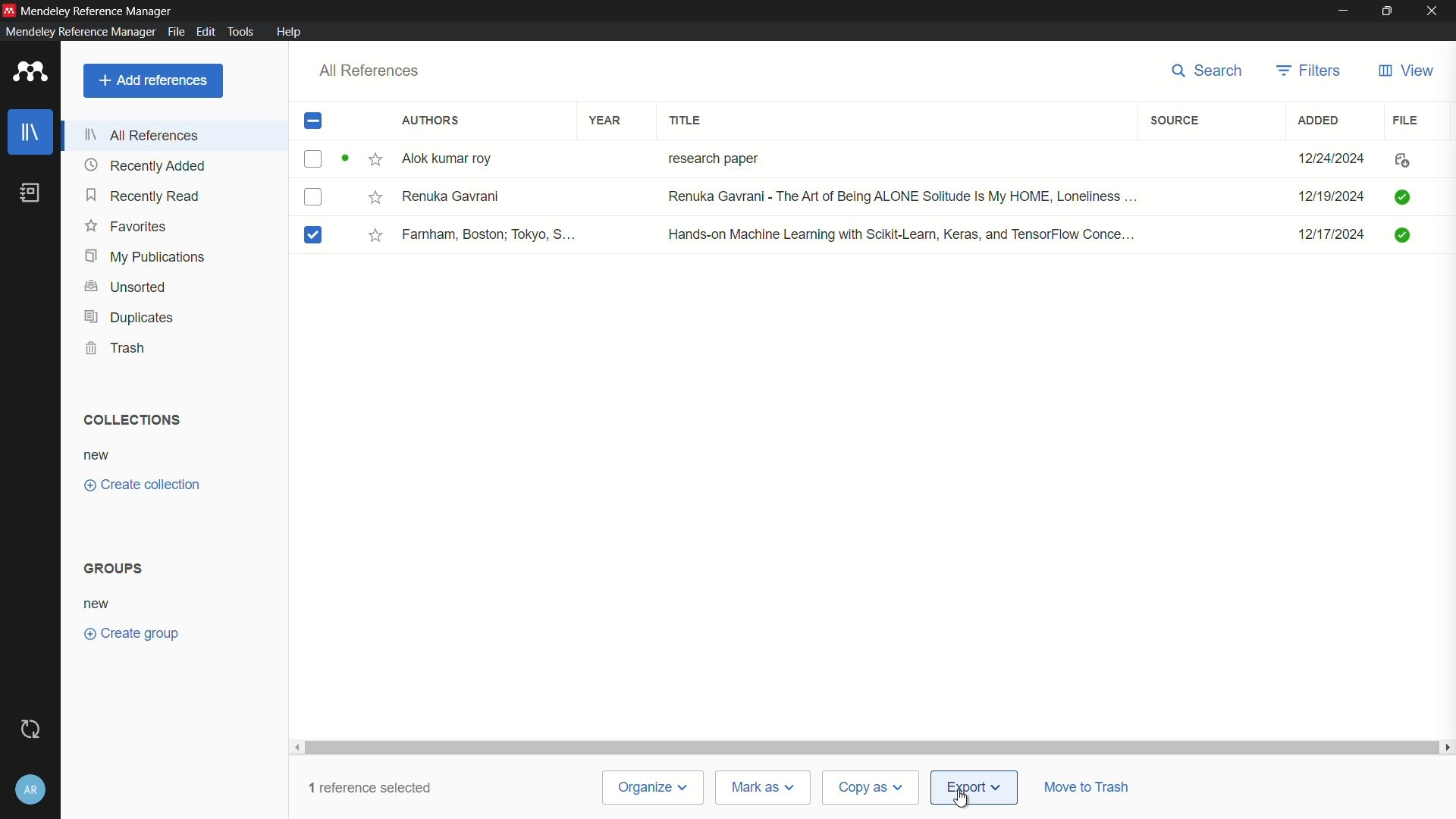 This screenshot has height=819, width=1456. I want to click on star, so click(372, 237).